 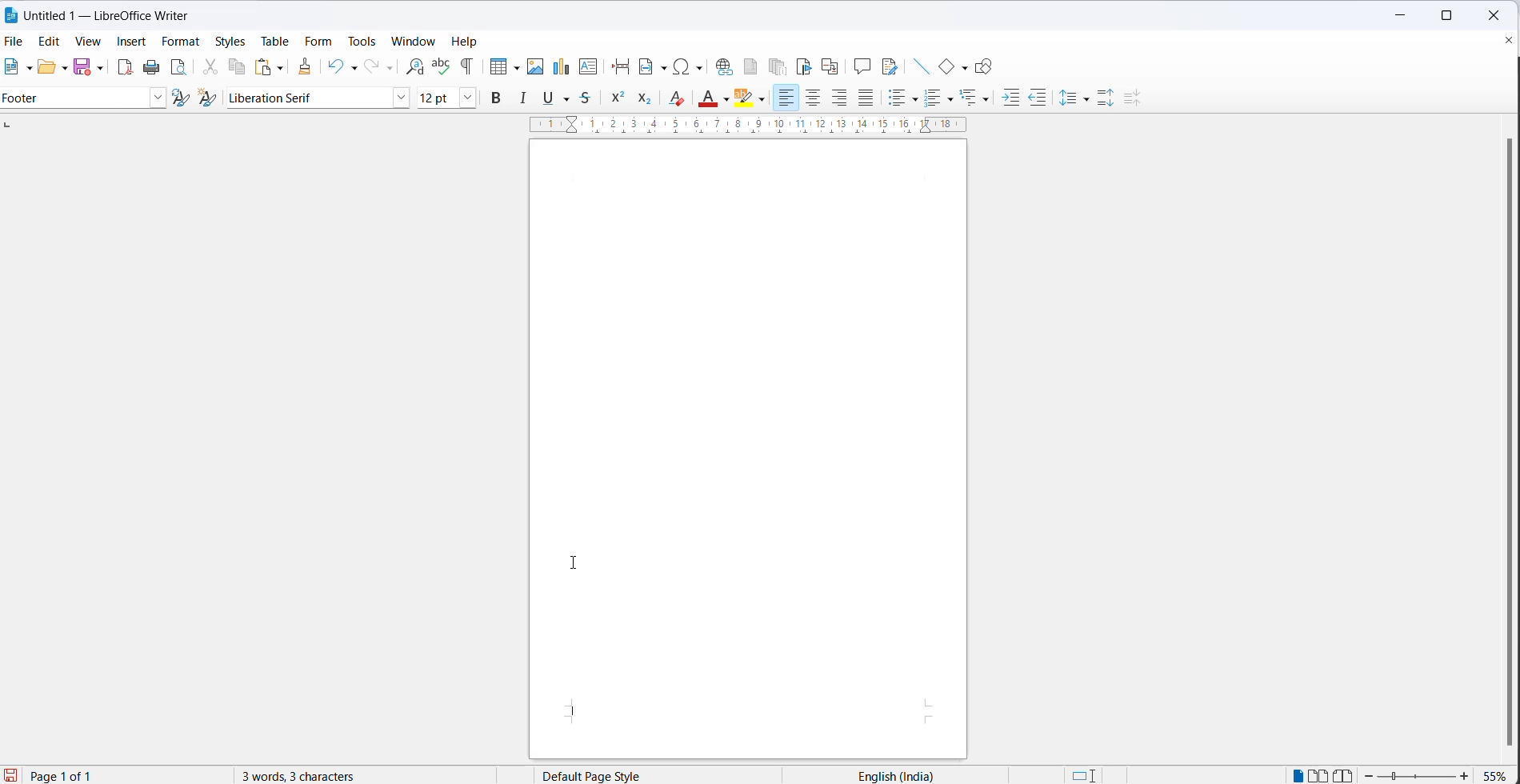 I want to click on font color options, so click(x=726, y=98).